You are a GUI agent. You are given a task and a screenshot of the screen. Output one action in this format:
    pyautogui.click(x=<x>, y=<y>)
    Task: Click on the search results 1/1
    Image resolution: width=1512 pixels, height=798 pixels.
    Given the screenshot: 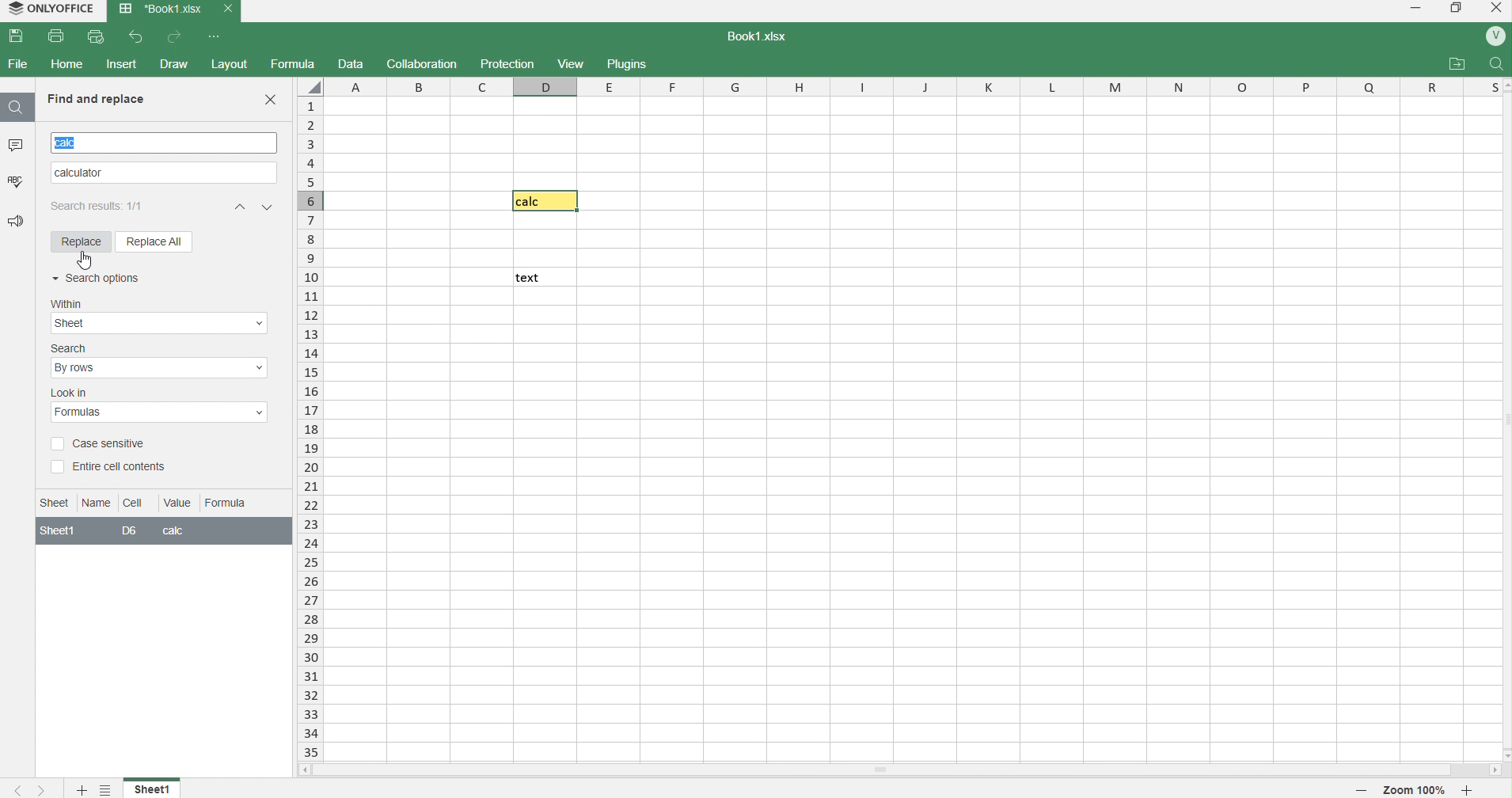 What is the action you would take?
    pyautogui.click(x=101, y=207)
    